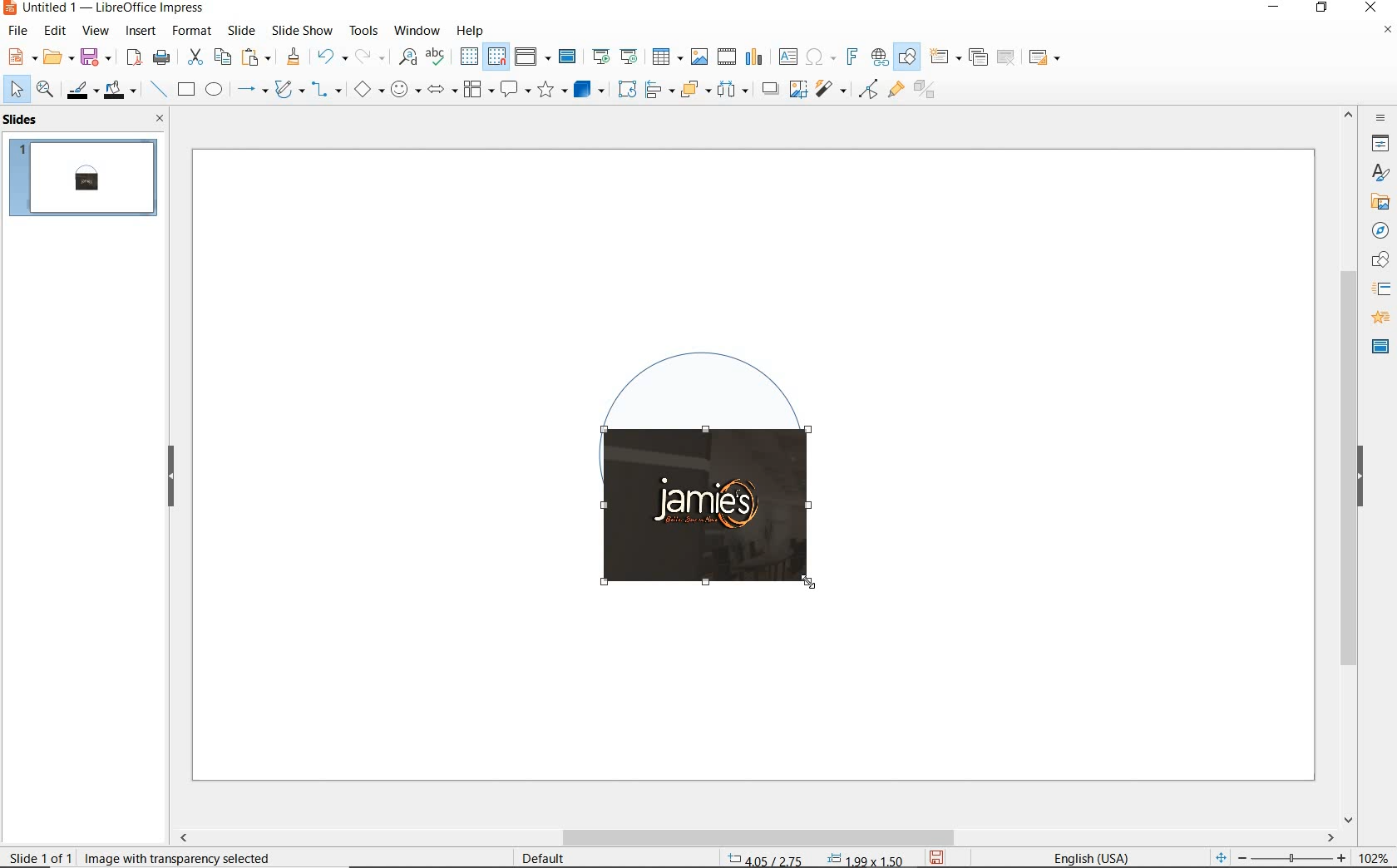 This screenshot has height=868, width=1397. Describe the element at coordinates (289, 90) in the screenshot. I see `curves & polygons` at that location.